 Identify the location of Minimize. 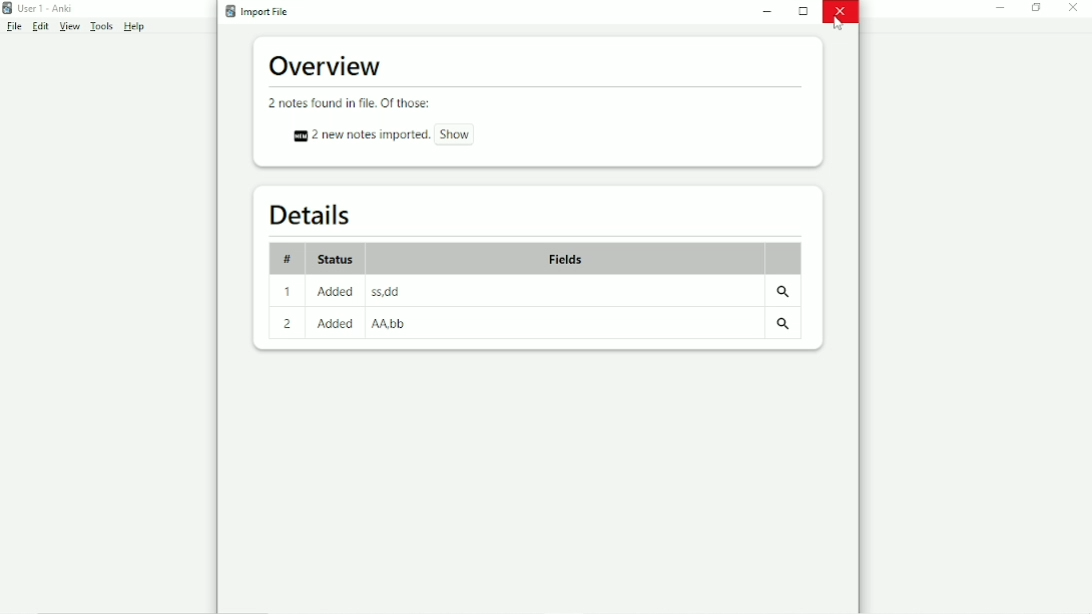
(1002, 8).